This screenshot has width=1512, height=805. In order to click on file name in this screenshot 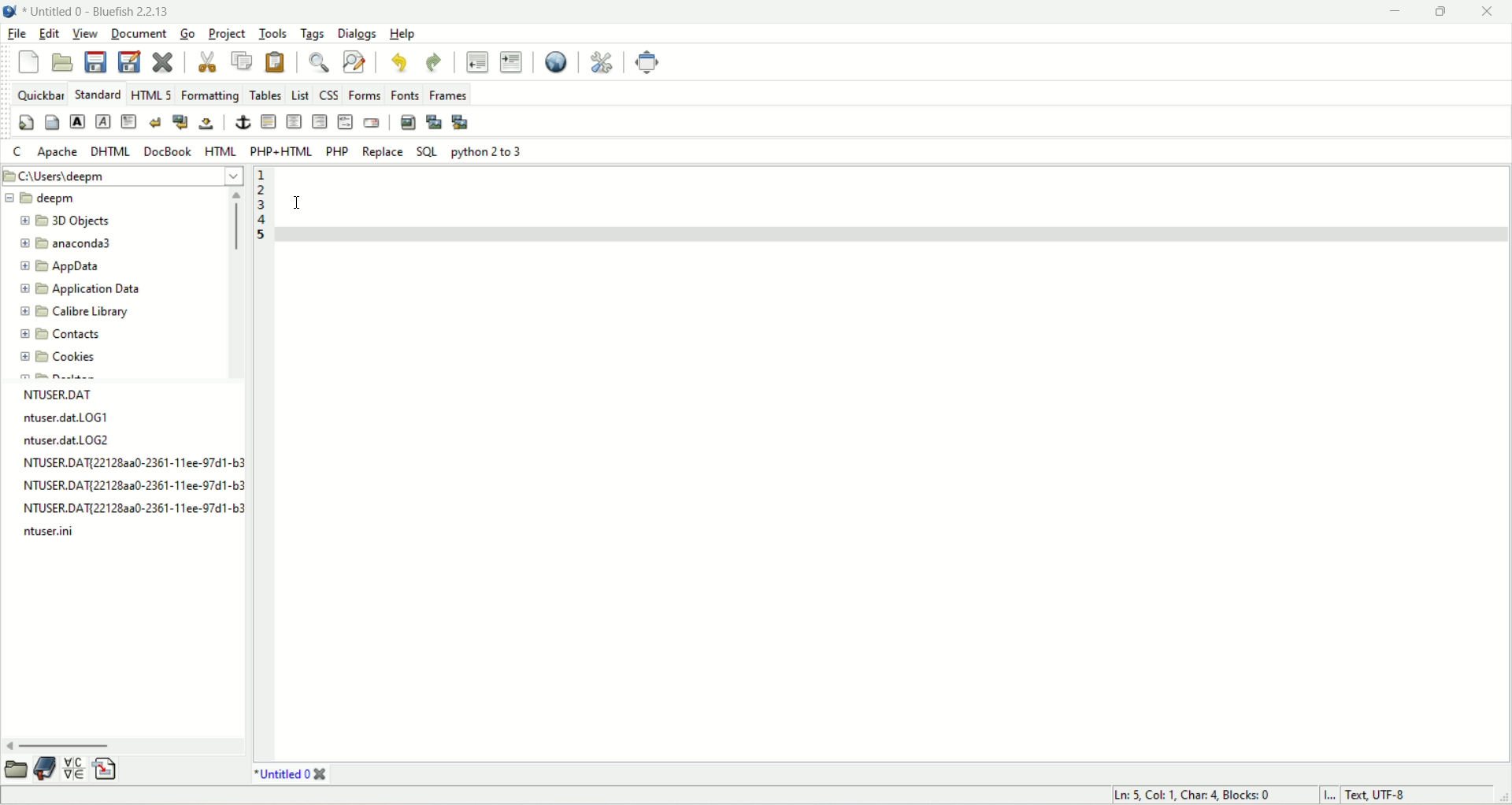, I will do `click(132, 510)`.